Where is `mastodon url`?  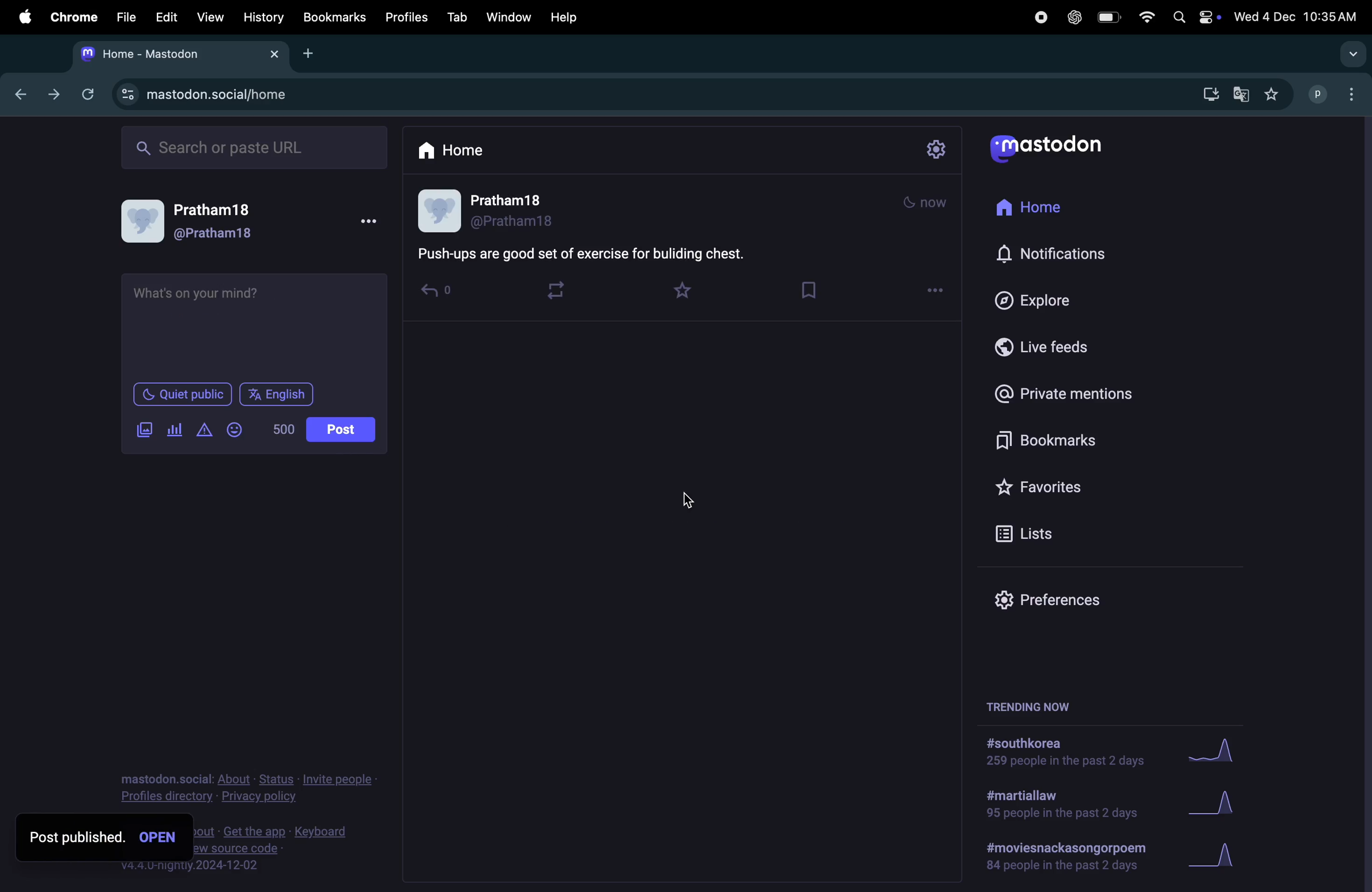
mastodon url is located at coordinates (211, 95).